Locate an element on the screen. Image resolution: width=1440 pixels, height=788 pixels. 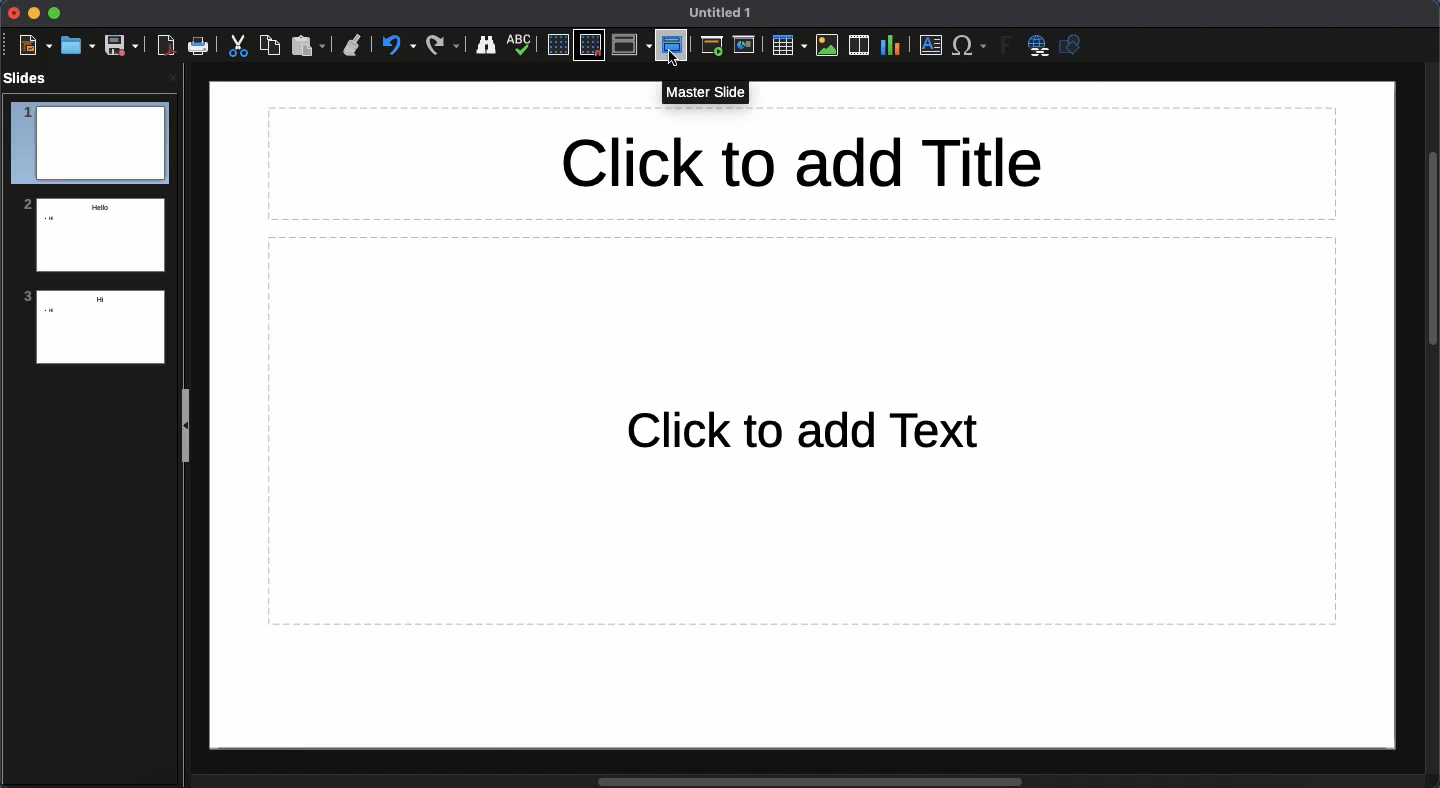
Display views is located at coordinates (632, 45).